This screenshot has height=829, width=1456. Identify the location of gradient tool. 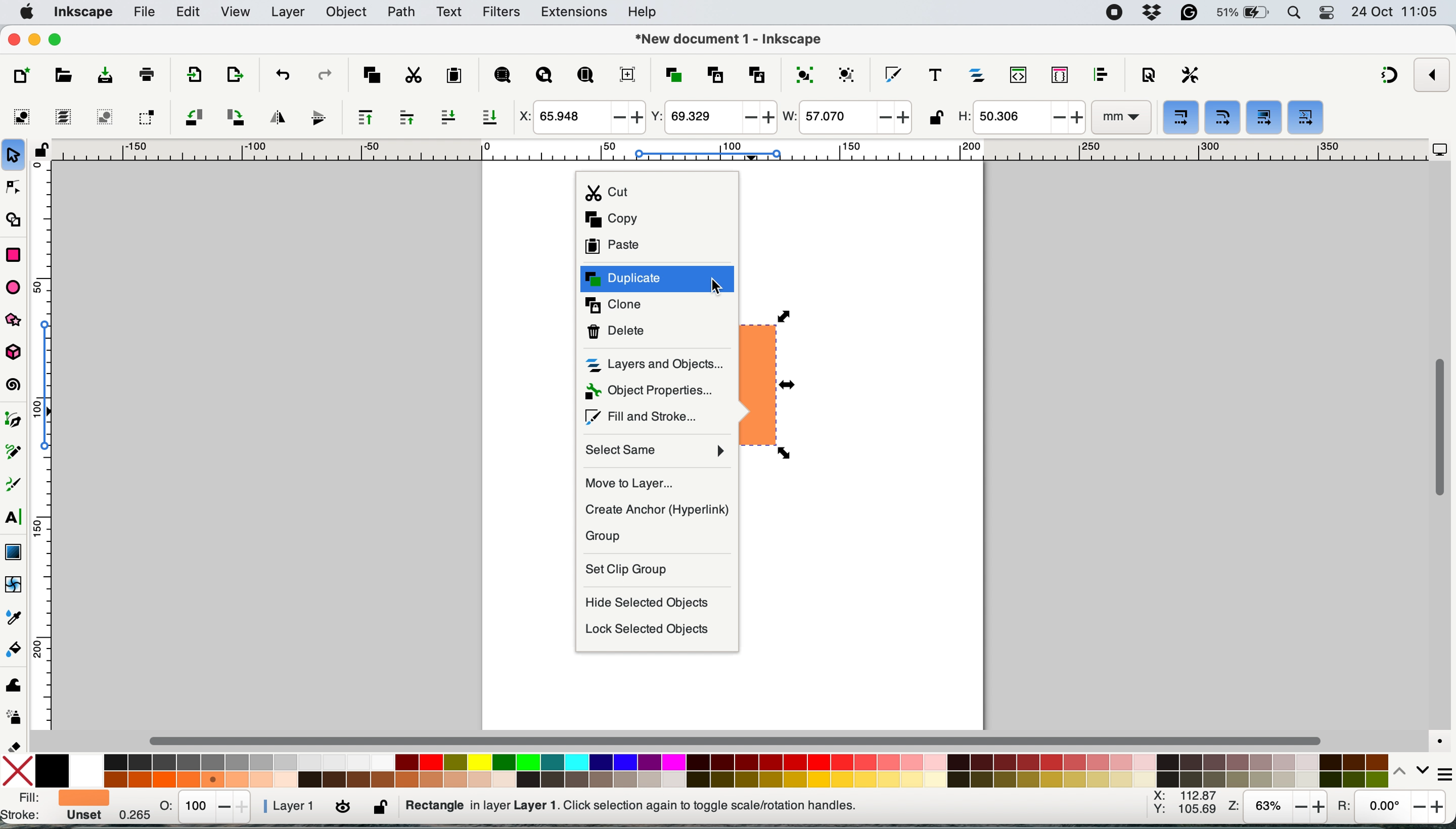
(13, 550).